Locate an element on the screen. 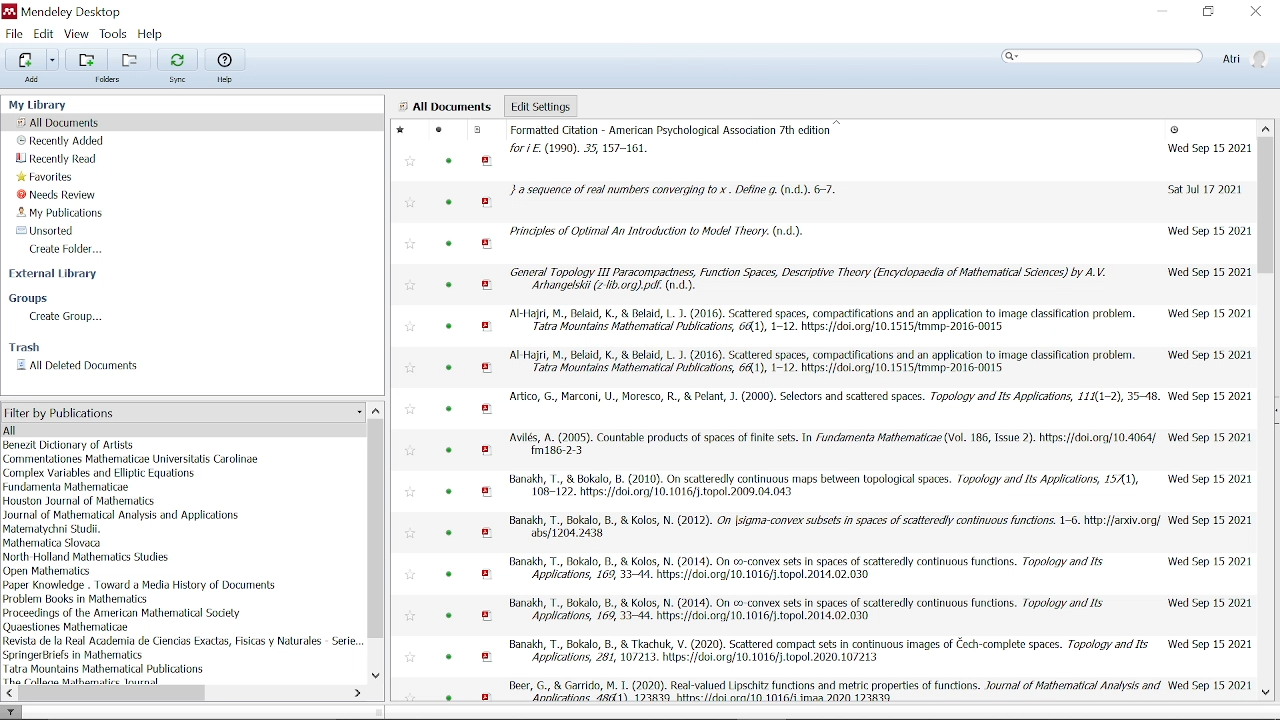 This screenshot has width=1280, height=720. status is located at coordinates (449, 328).